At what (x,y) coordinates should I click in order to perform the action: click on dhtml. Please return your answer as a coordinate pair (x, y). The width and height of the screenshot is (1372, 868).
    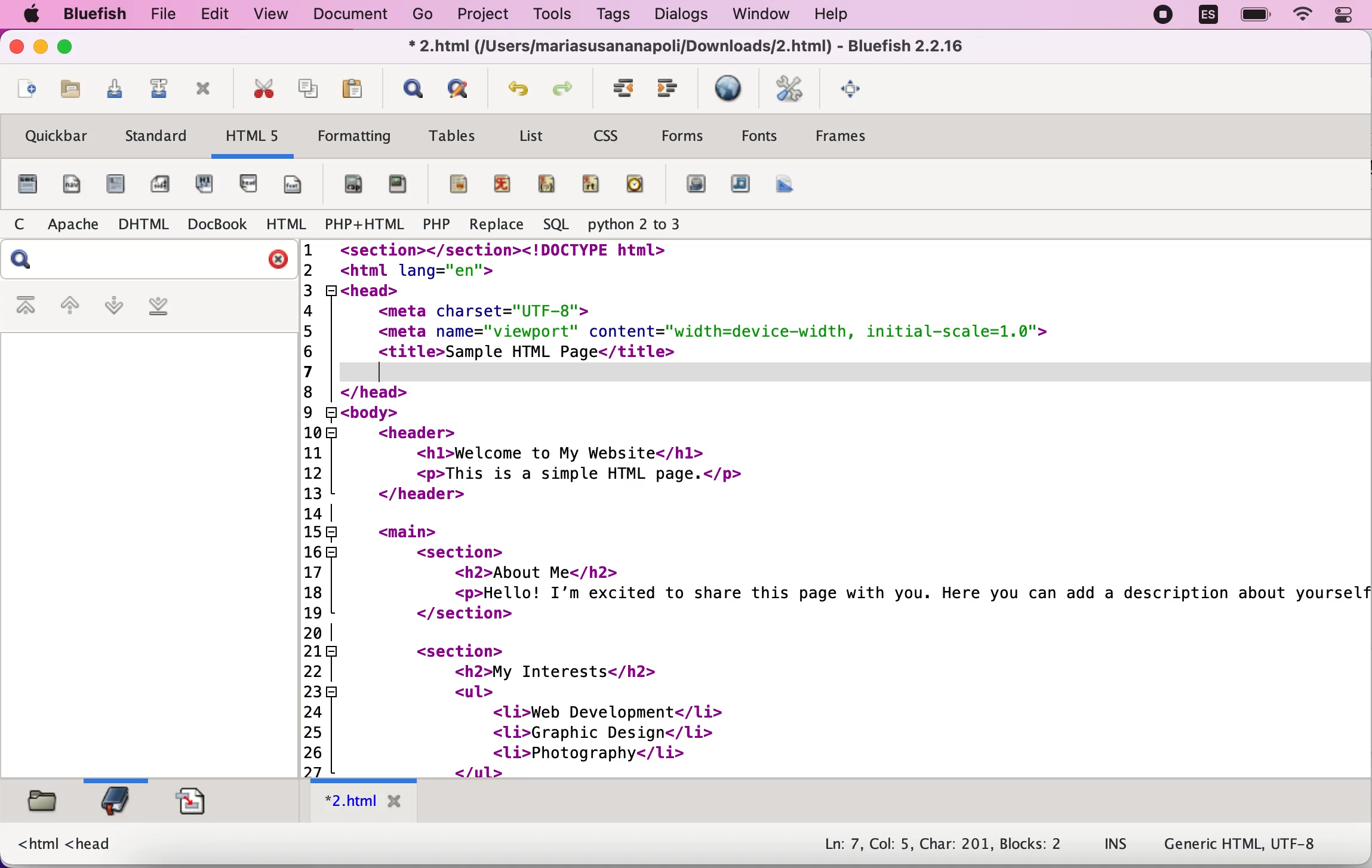
    Looking at the image, I should click on (145, 226).